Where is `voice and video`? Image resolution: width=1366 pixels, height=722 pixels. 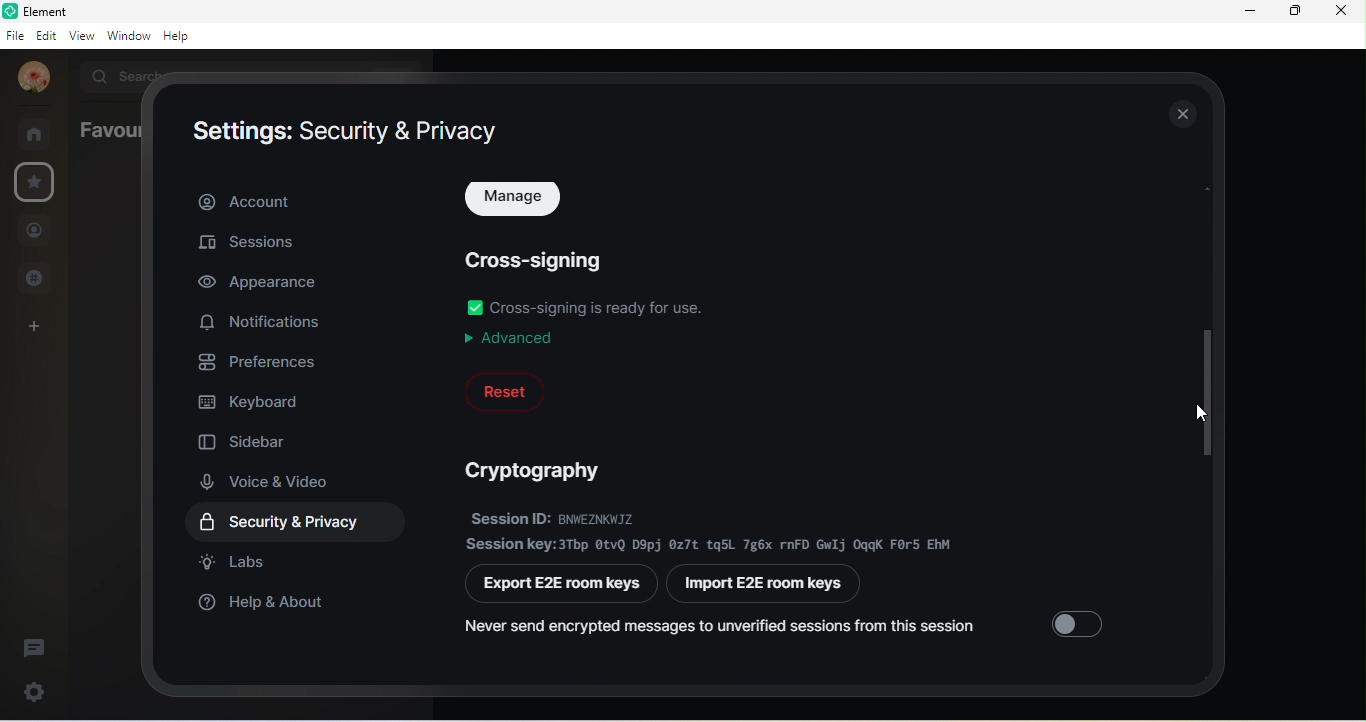
voice and video is located at coordinates (273, 481).